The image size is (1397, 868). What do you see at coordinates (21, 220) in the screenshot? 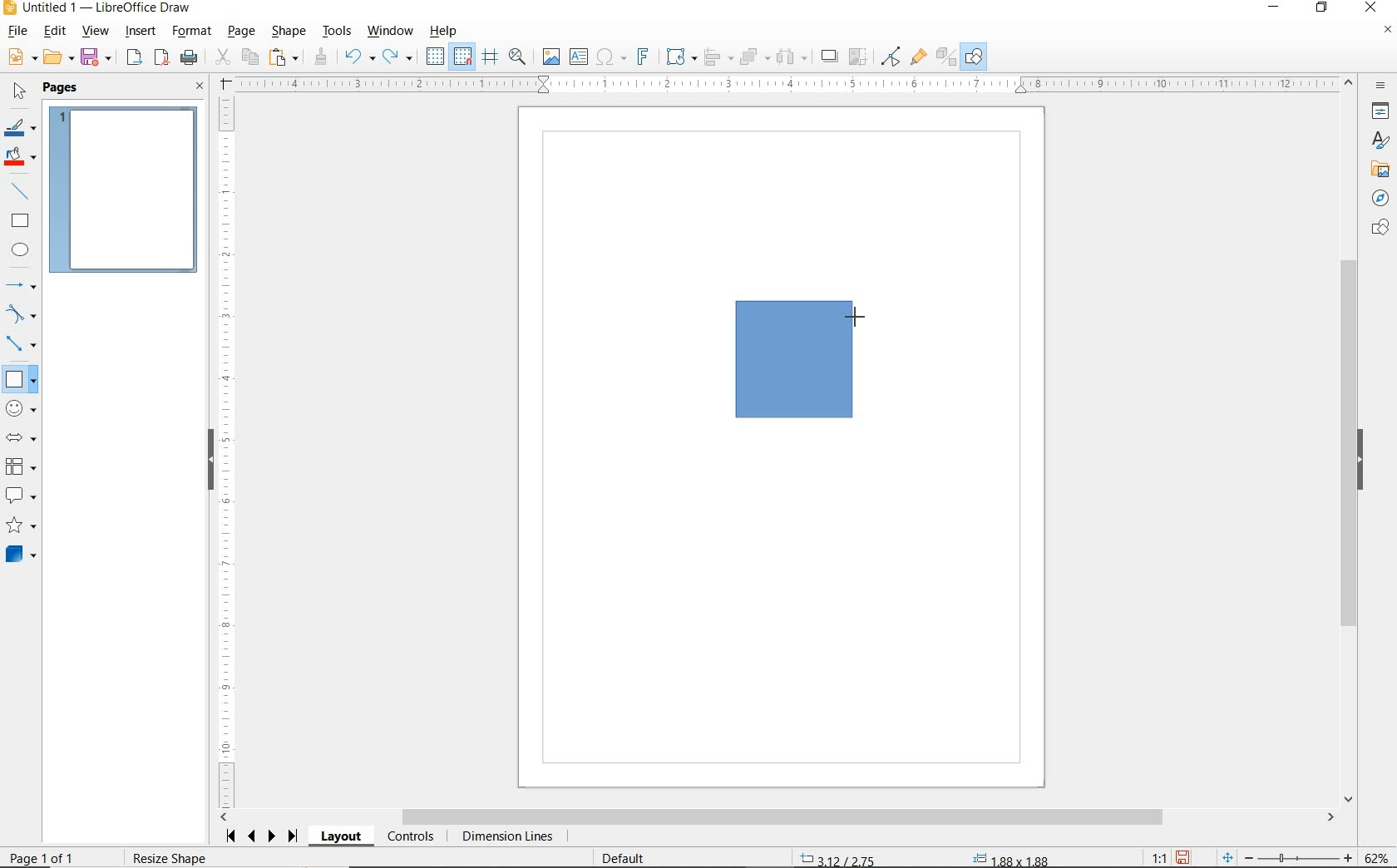
I see `RECTANGLE` at bounding box center [21, 220].